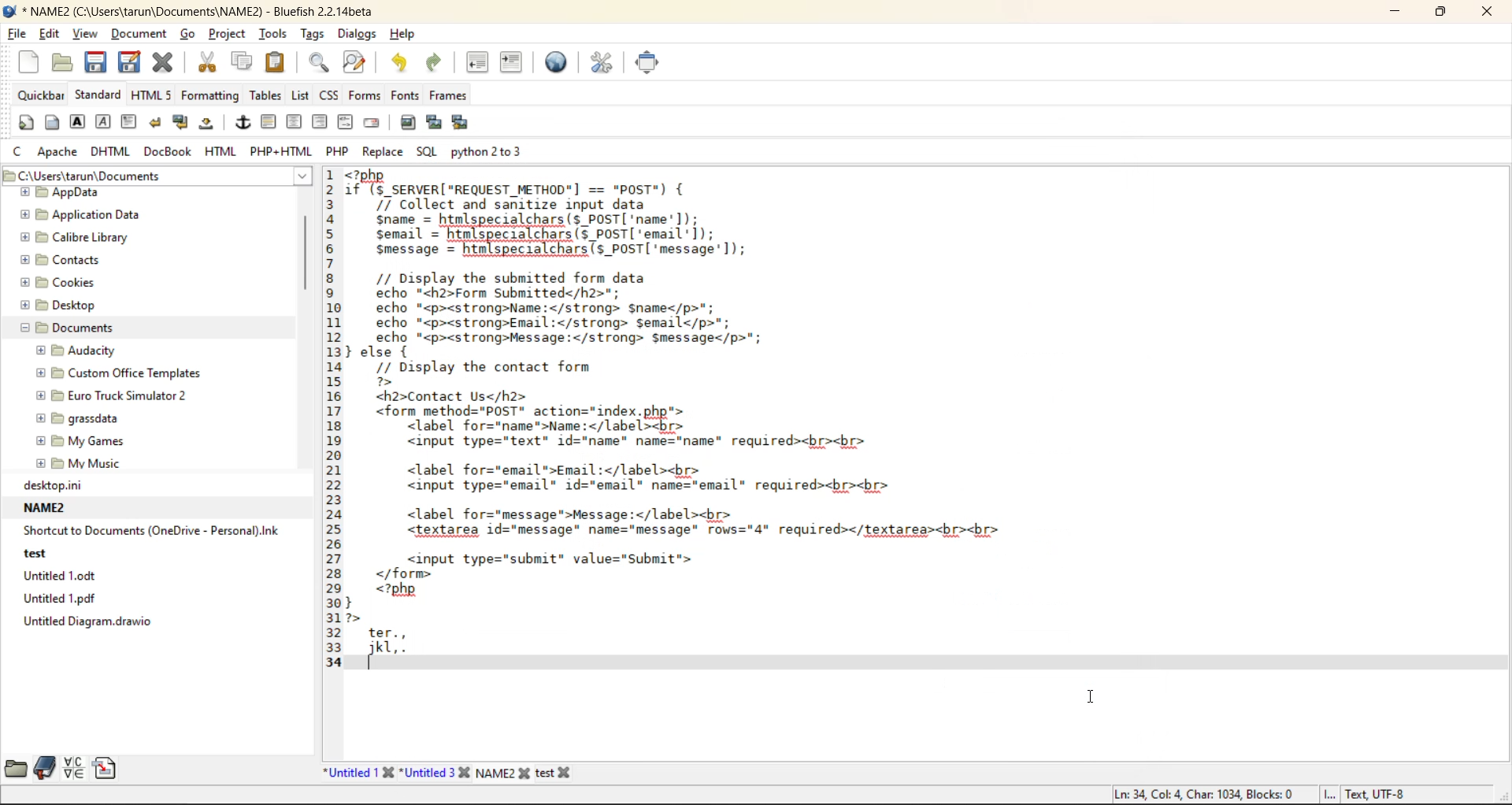  What do you see at coordinates (74, 768) in the screenshot?
I see `charmap` at bounding box center [74, 768].